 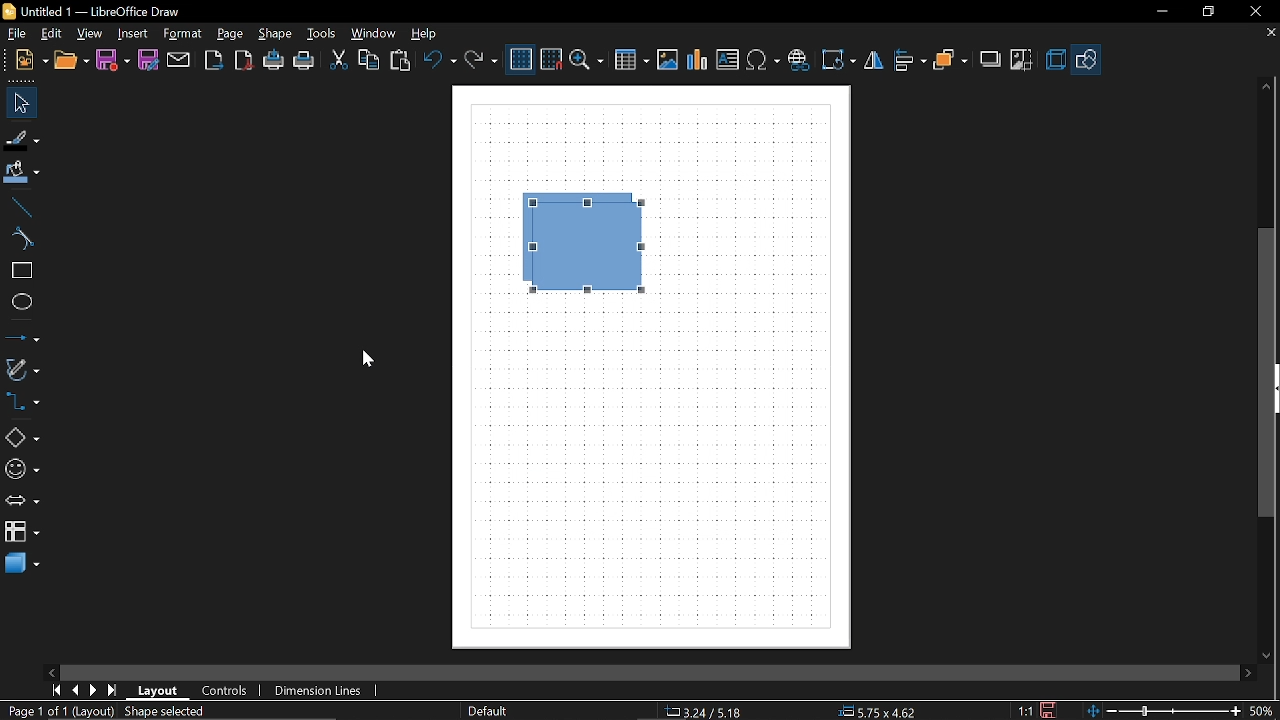 I want to click on grid, so click(x=521, y=60).